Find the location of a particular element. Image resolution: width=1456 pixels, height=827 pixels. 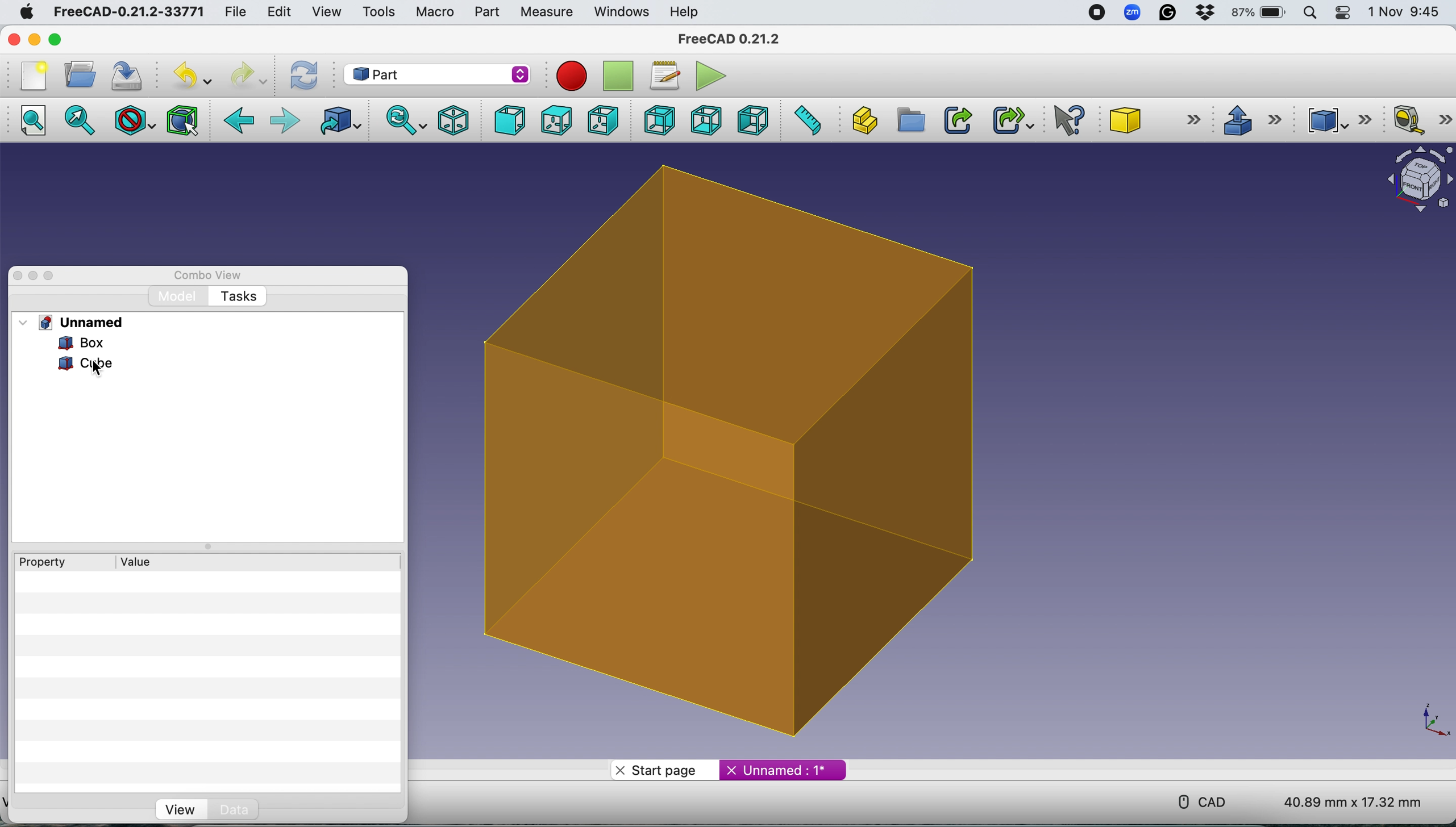

Combo view is located at coordinates (209, 275).